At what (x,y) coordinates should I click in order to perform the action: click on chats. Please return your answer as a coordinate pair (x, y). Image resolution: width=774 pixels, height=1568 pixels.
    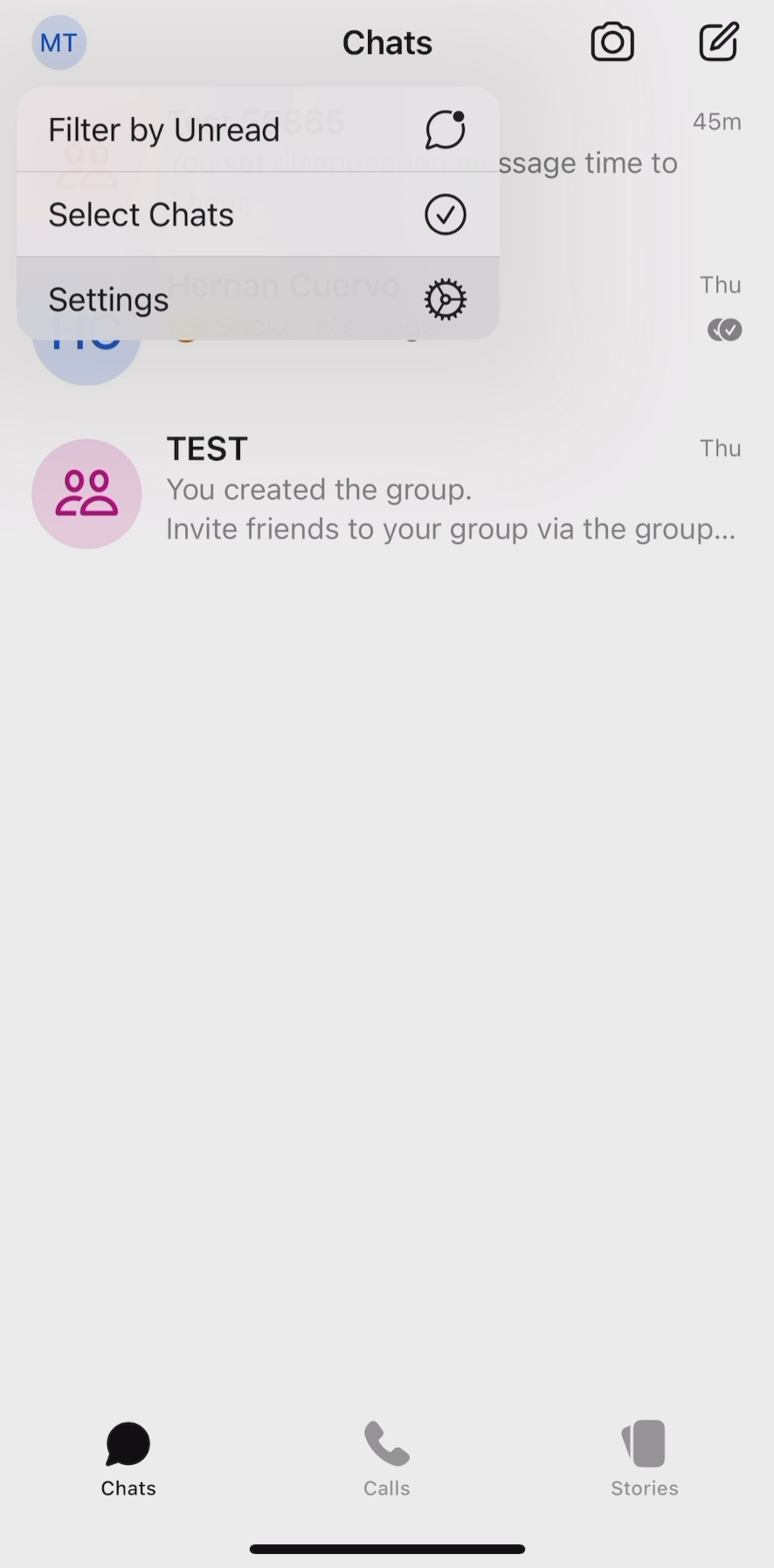
    Looking at the image, I should click on (128, 1457).